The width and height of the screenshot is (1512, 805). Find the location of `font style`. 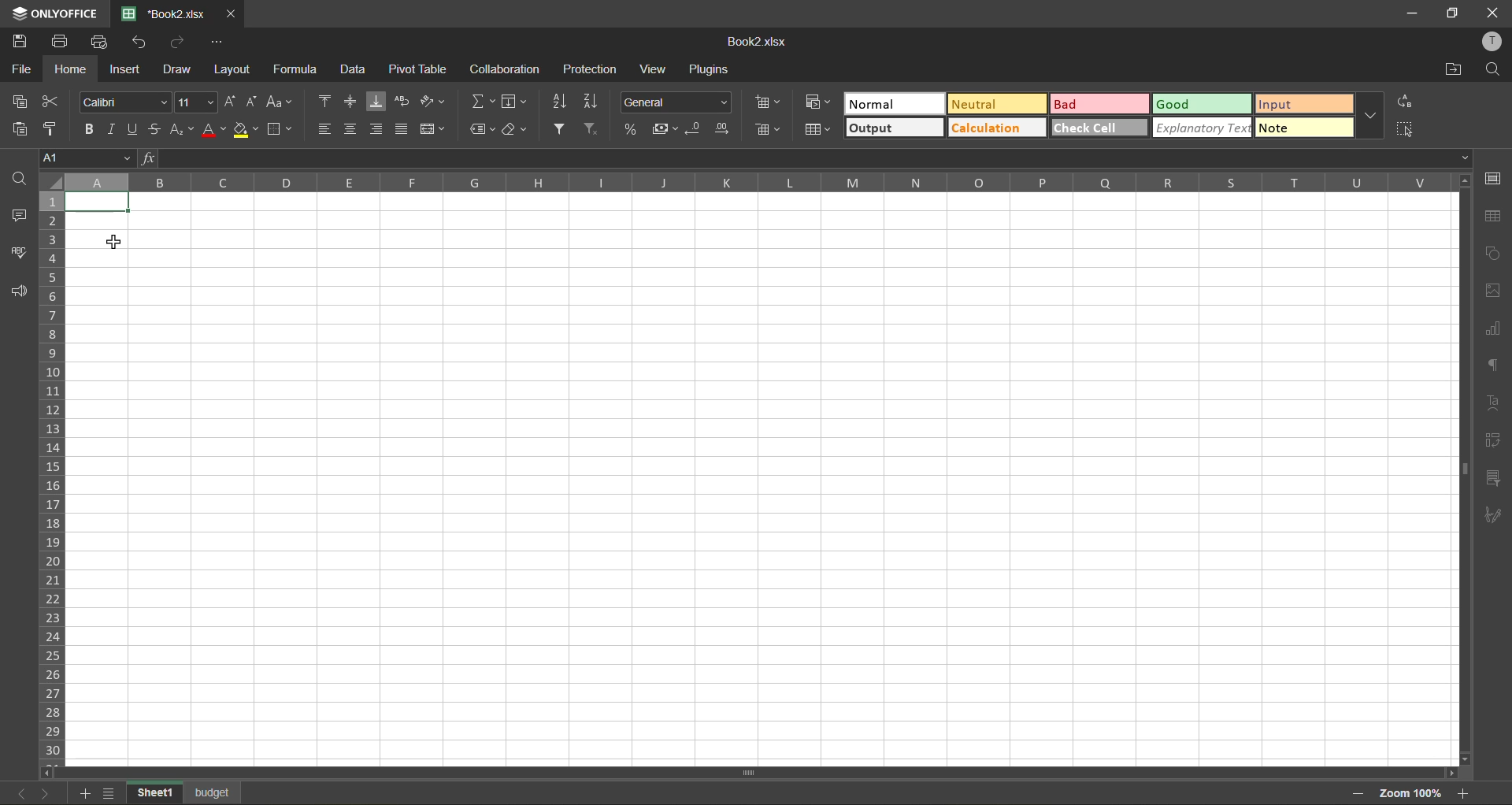

font style is located at coordinates (123, 103).